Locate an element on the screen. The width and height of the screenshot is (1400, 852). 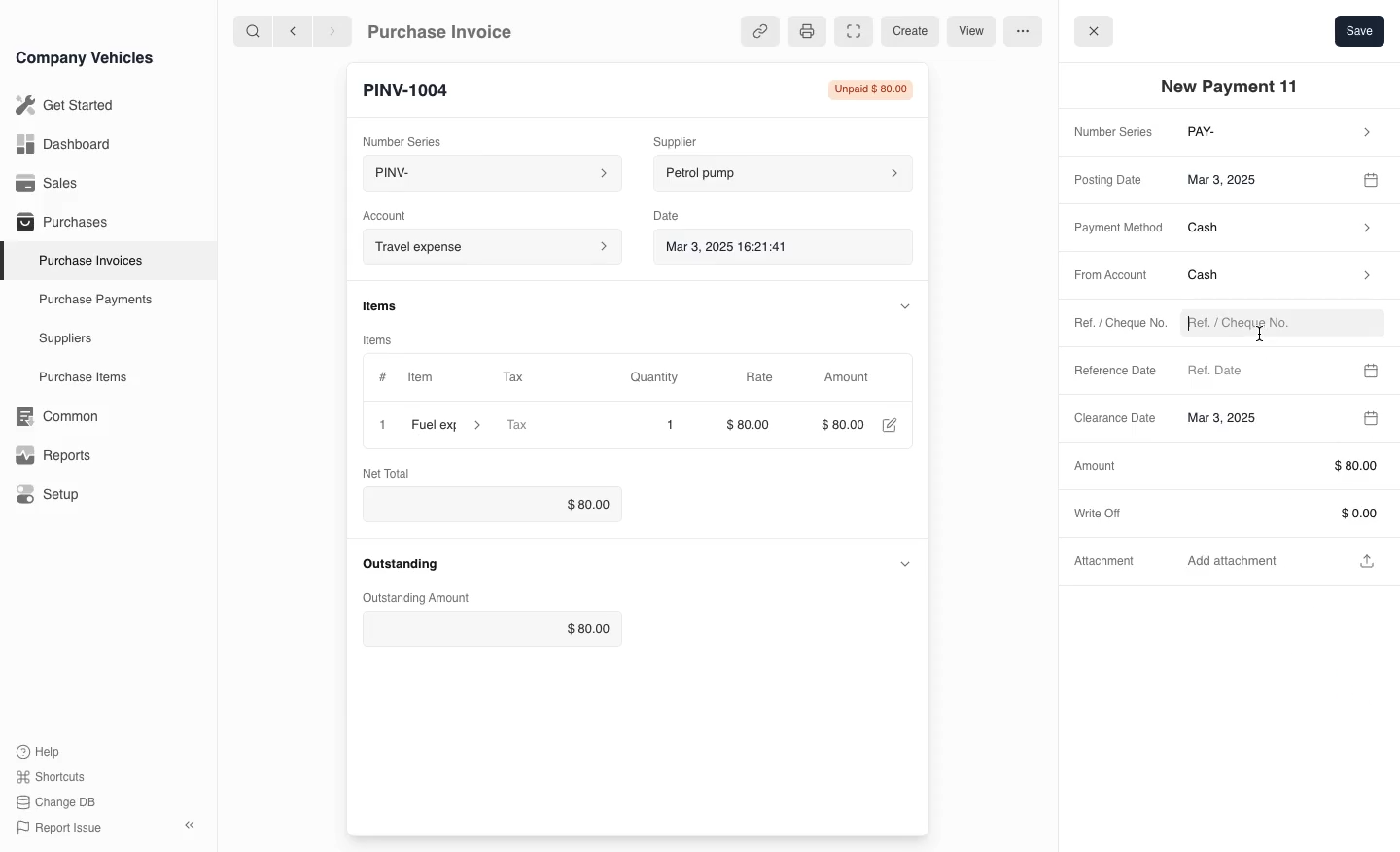
Attachment is located at coordinates (1107, 565).